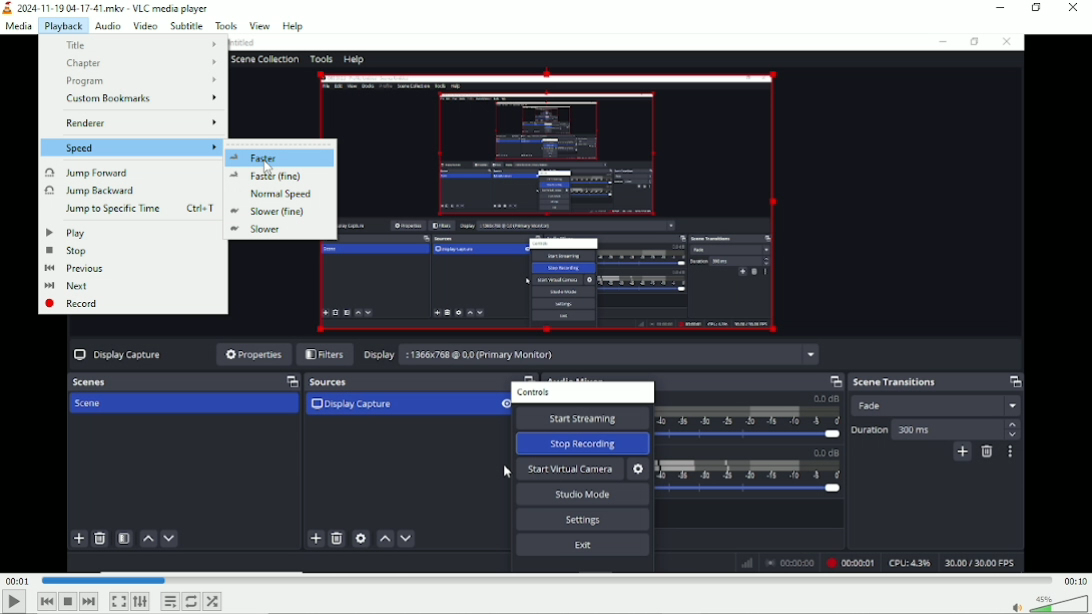 This screenshot has height=614, width=1092. What do you see at coordinates (544, 581) in the screenshot?
I see `Play duration` at bounding box center [544, 581].